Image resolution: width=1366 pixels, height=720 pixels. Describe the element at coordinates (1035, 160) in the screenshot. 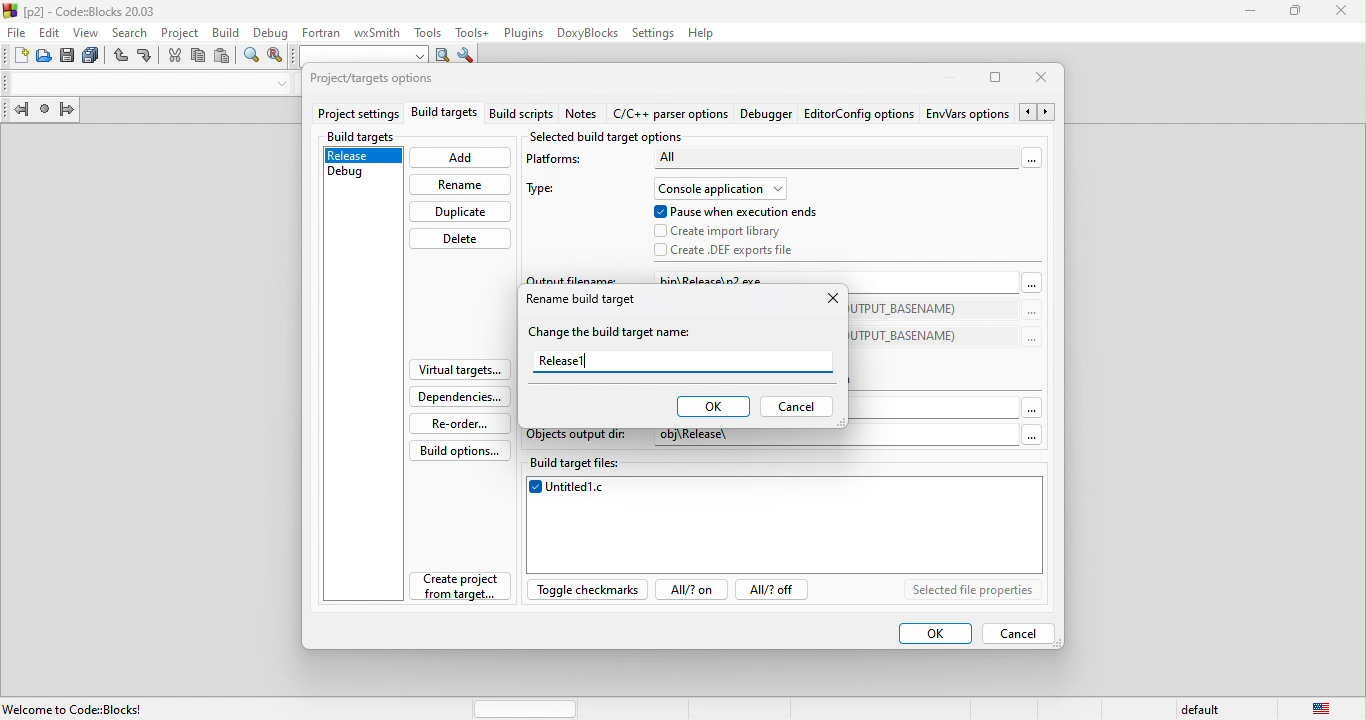

I see `more` at that location.